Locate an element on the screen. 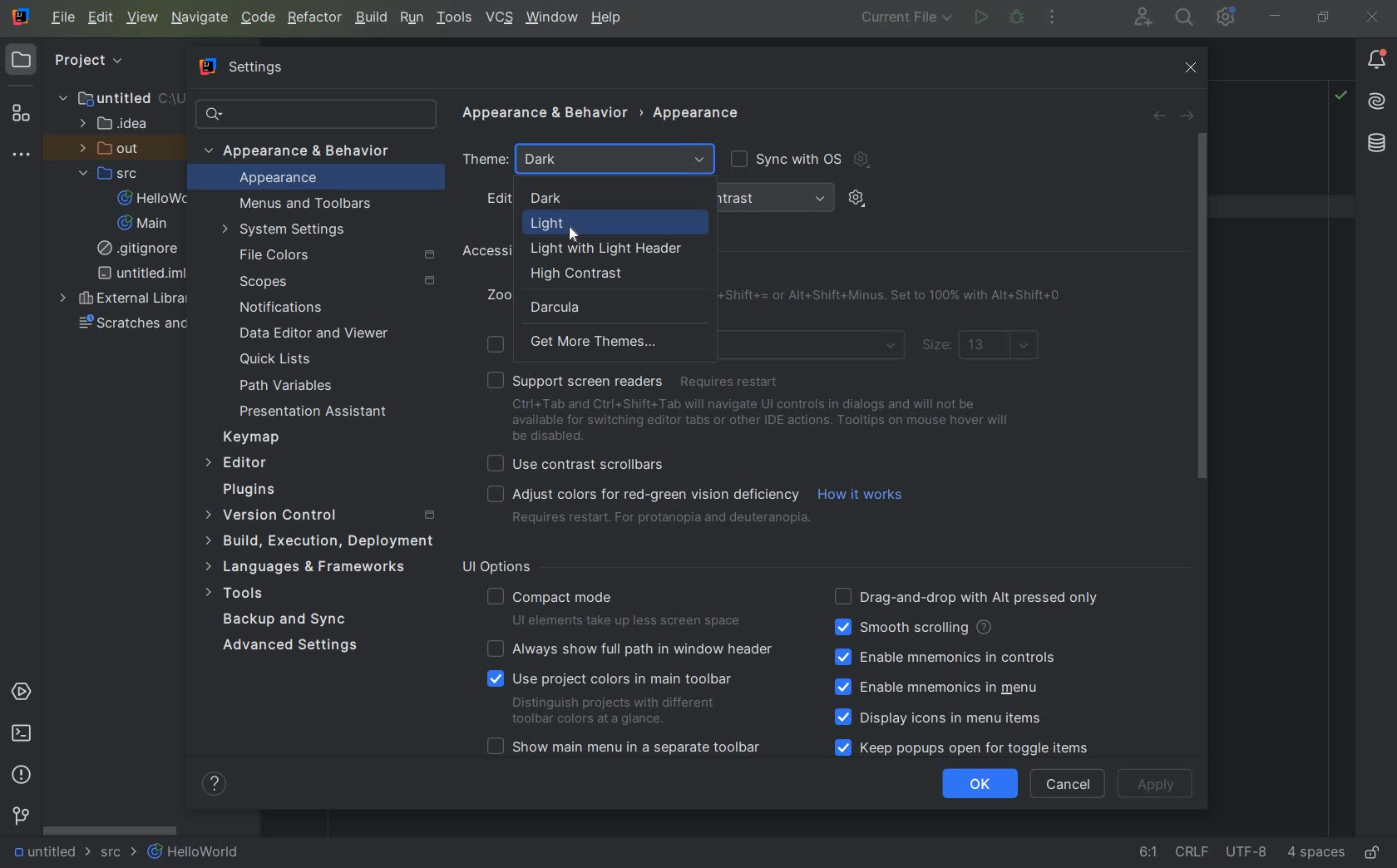  display icons in menu items(checked) is located at coordinates (941, 718).